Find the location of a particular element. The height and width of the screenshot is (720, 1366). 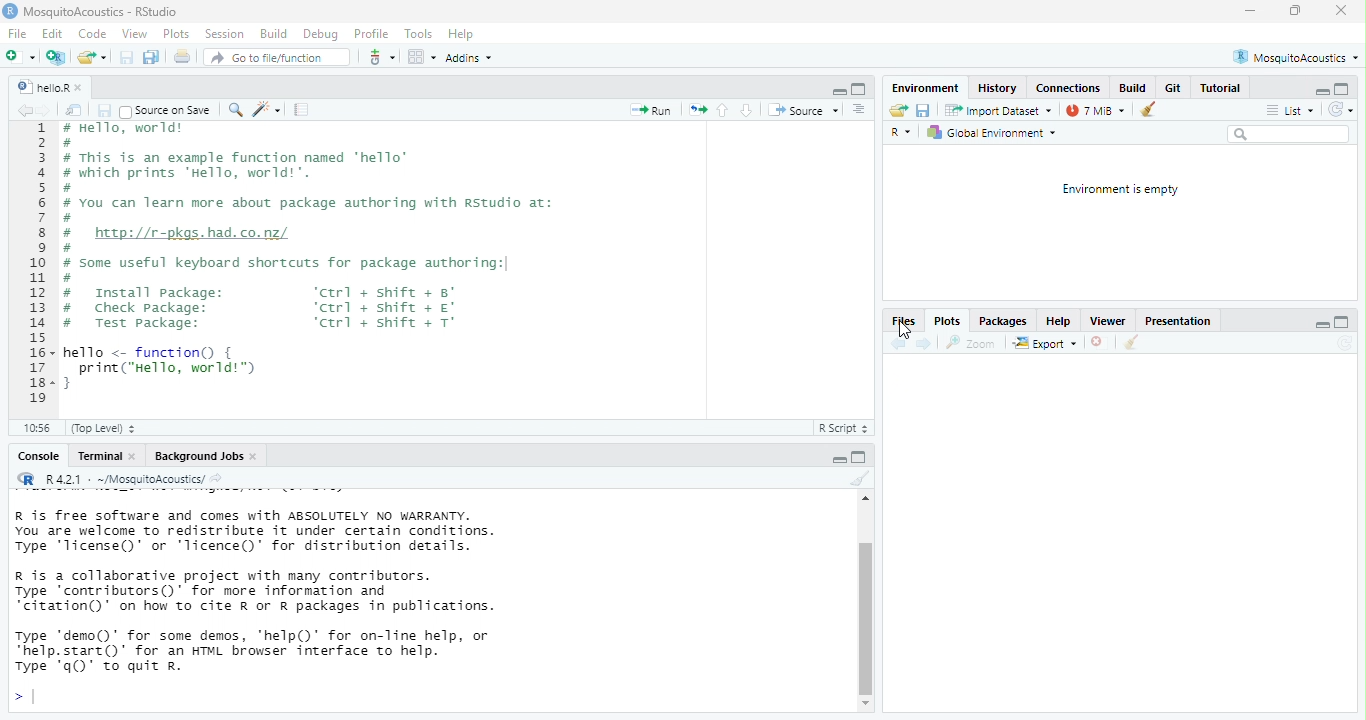

hide r script is located at coordinates (1322, 90).